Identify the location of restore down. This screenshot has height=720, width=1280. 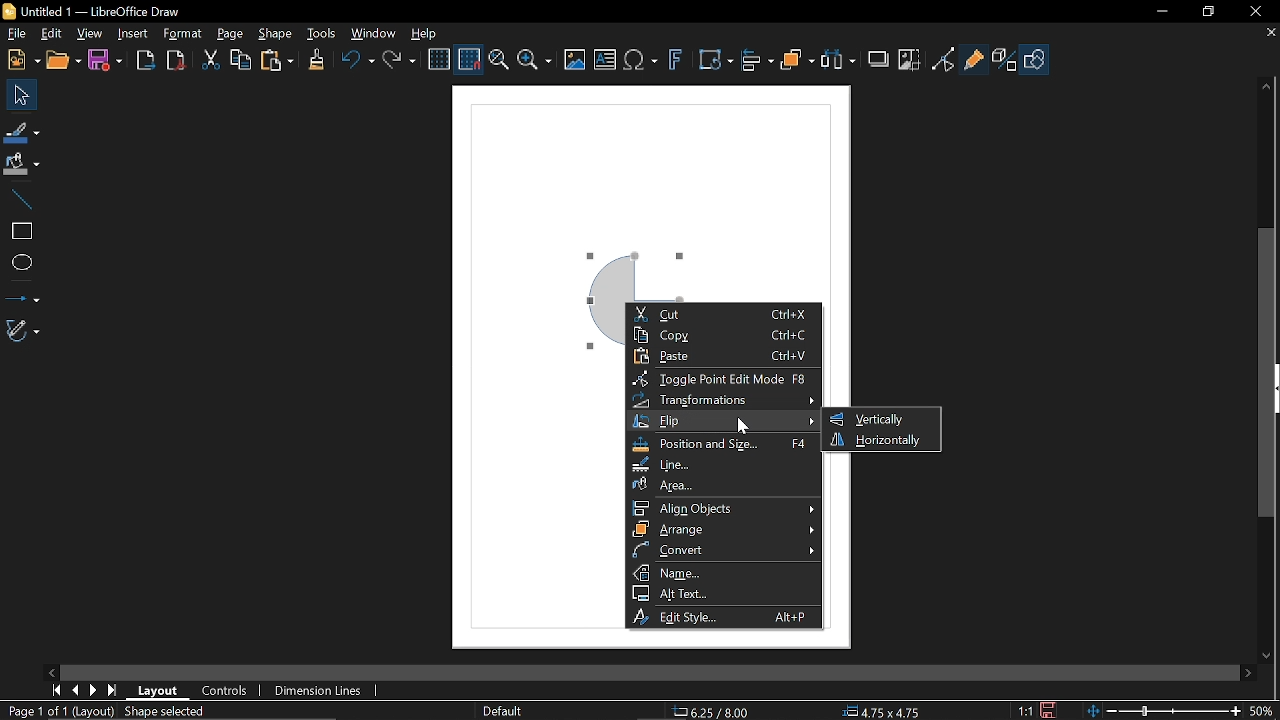
(1210, 10).